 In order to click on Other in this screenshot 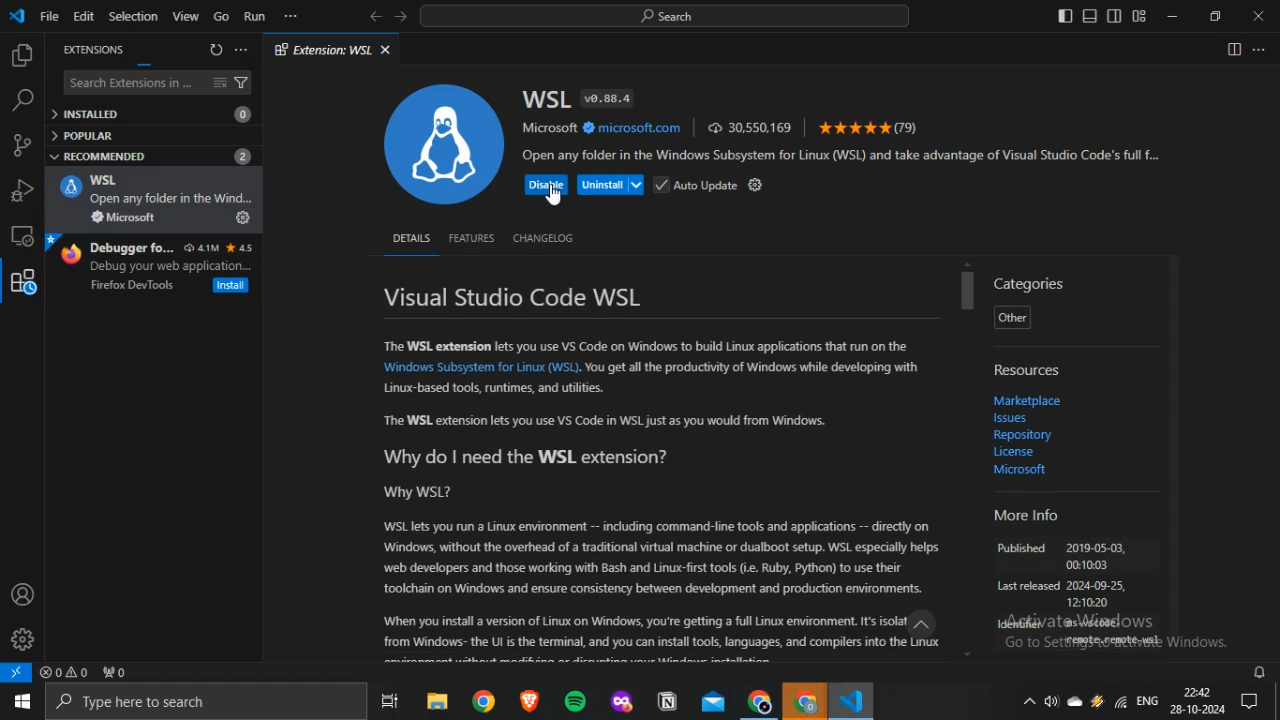, I will do `click(1011, 318)`.